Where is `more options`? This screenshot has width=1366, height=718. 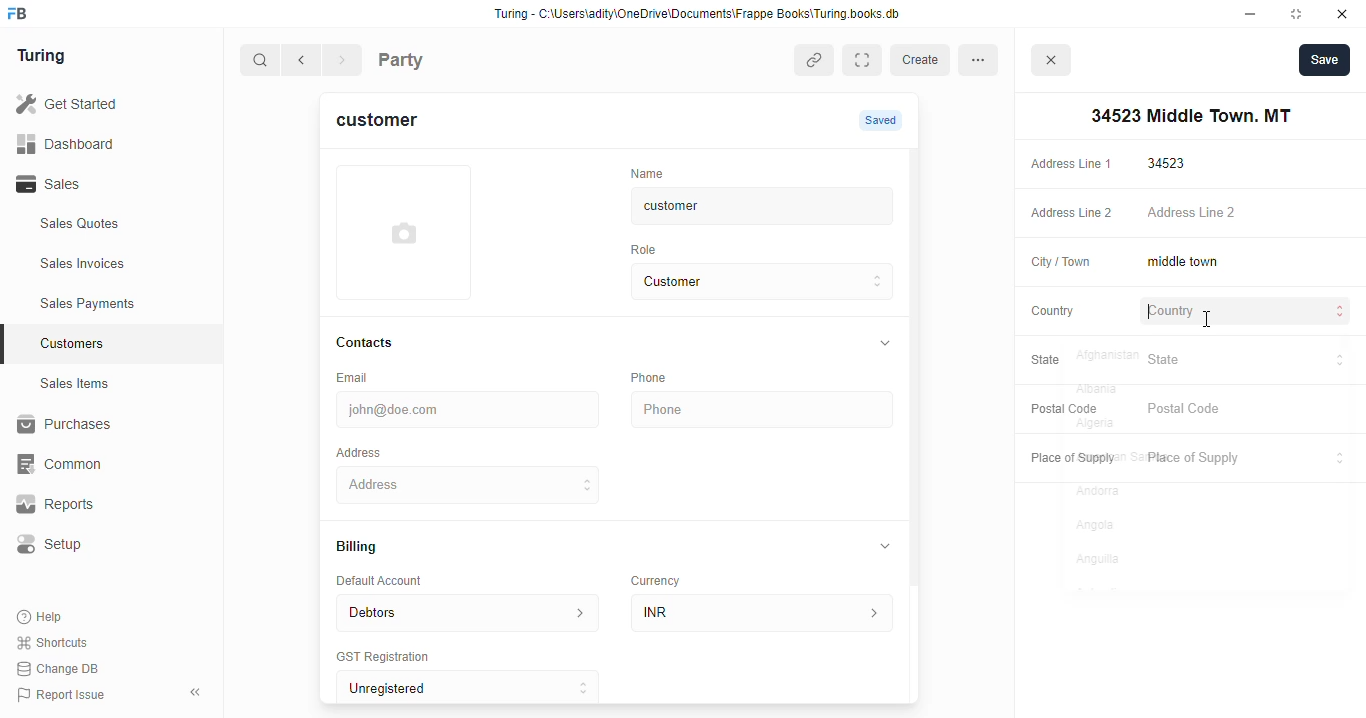 more options is located at coordinates (984, 59).